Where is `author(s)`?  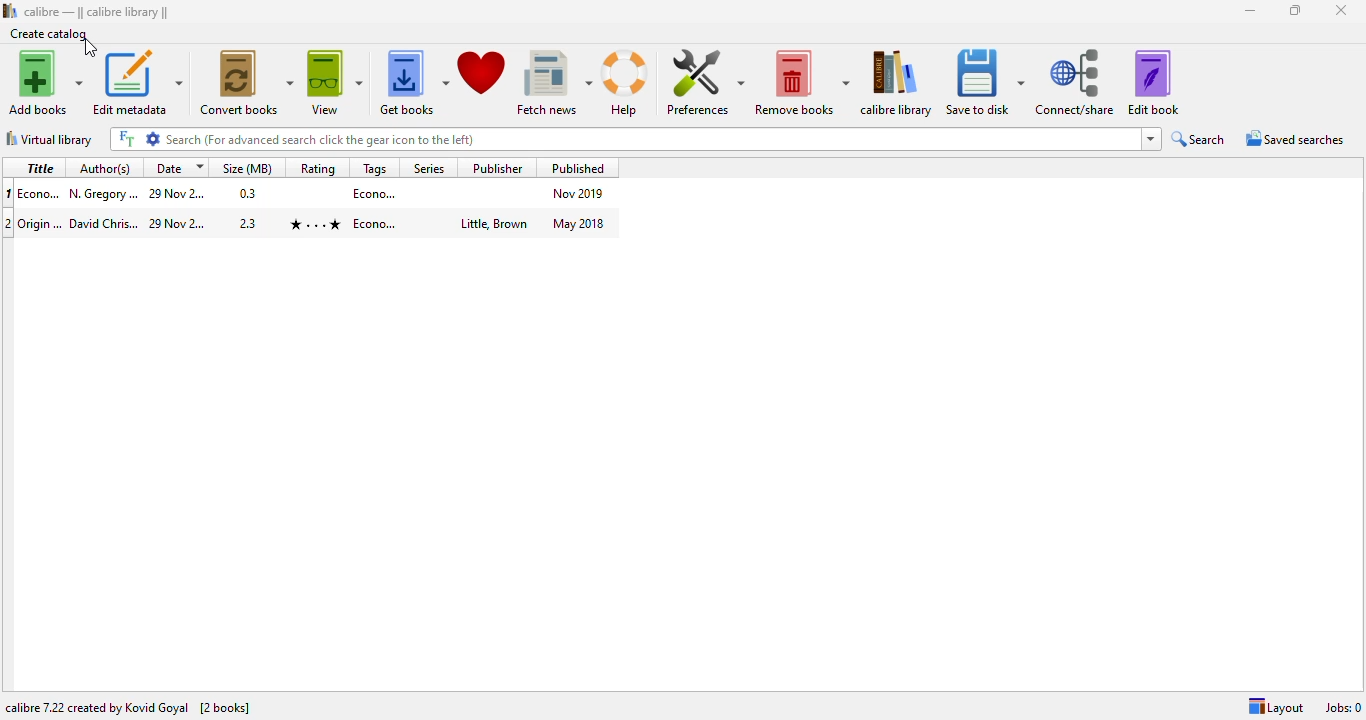 author(s) is located at coordinates (104, 169).